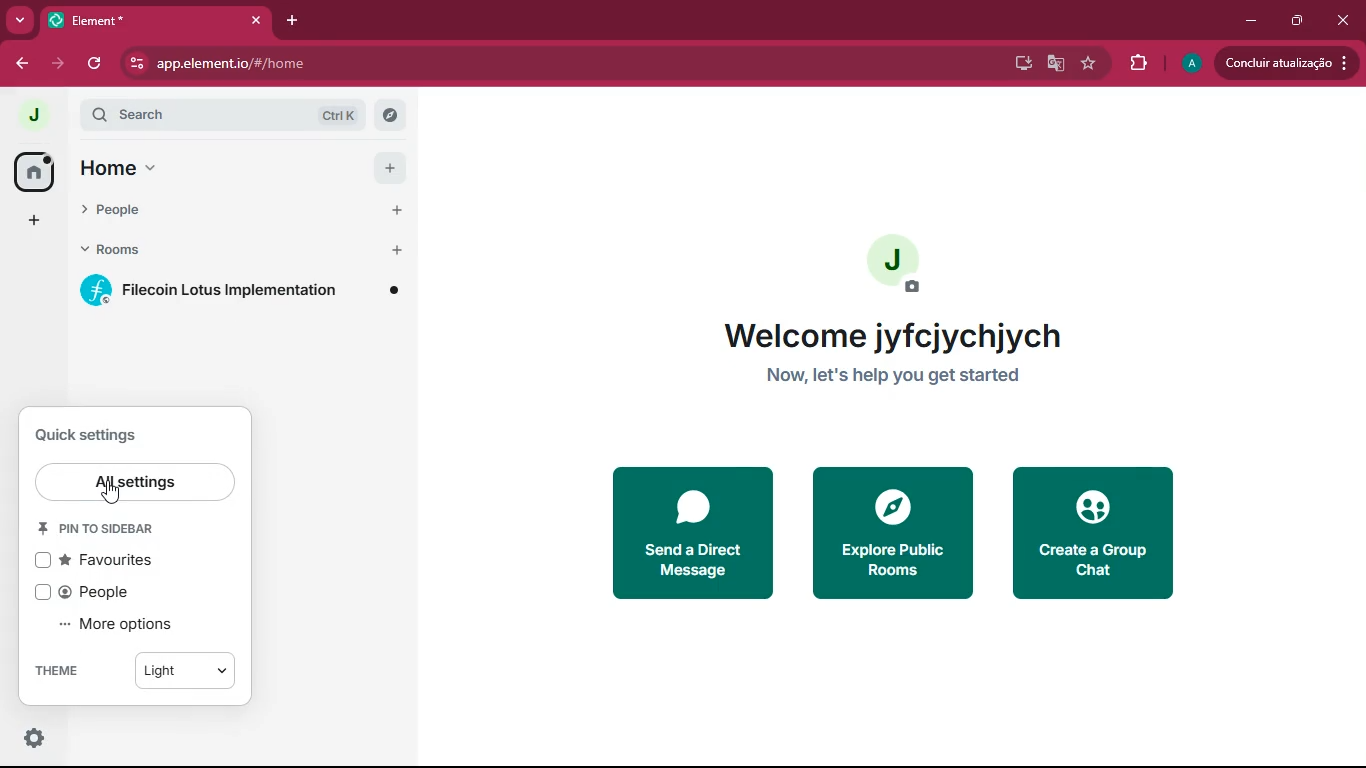 This screenshot has height=768, width=1366. Describe the element at coordinates (186, 667) in the screenshot. I see `theme` at that location.